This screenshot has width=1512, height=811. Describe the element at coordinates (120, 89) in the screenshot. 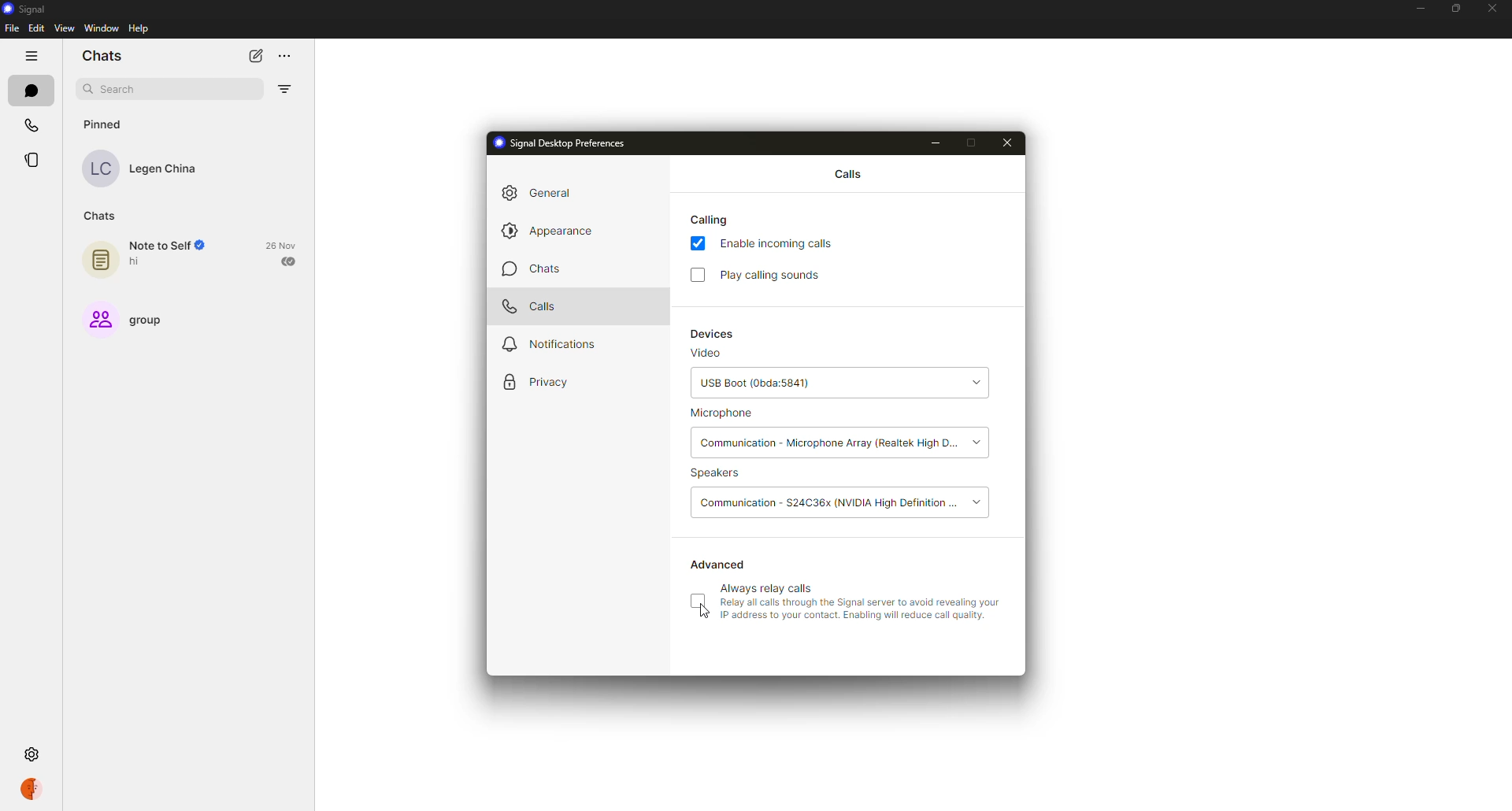

I see `search` at that location.